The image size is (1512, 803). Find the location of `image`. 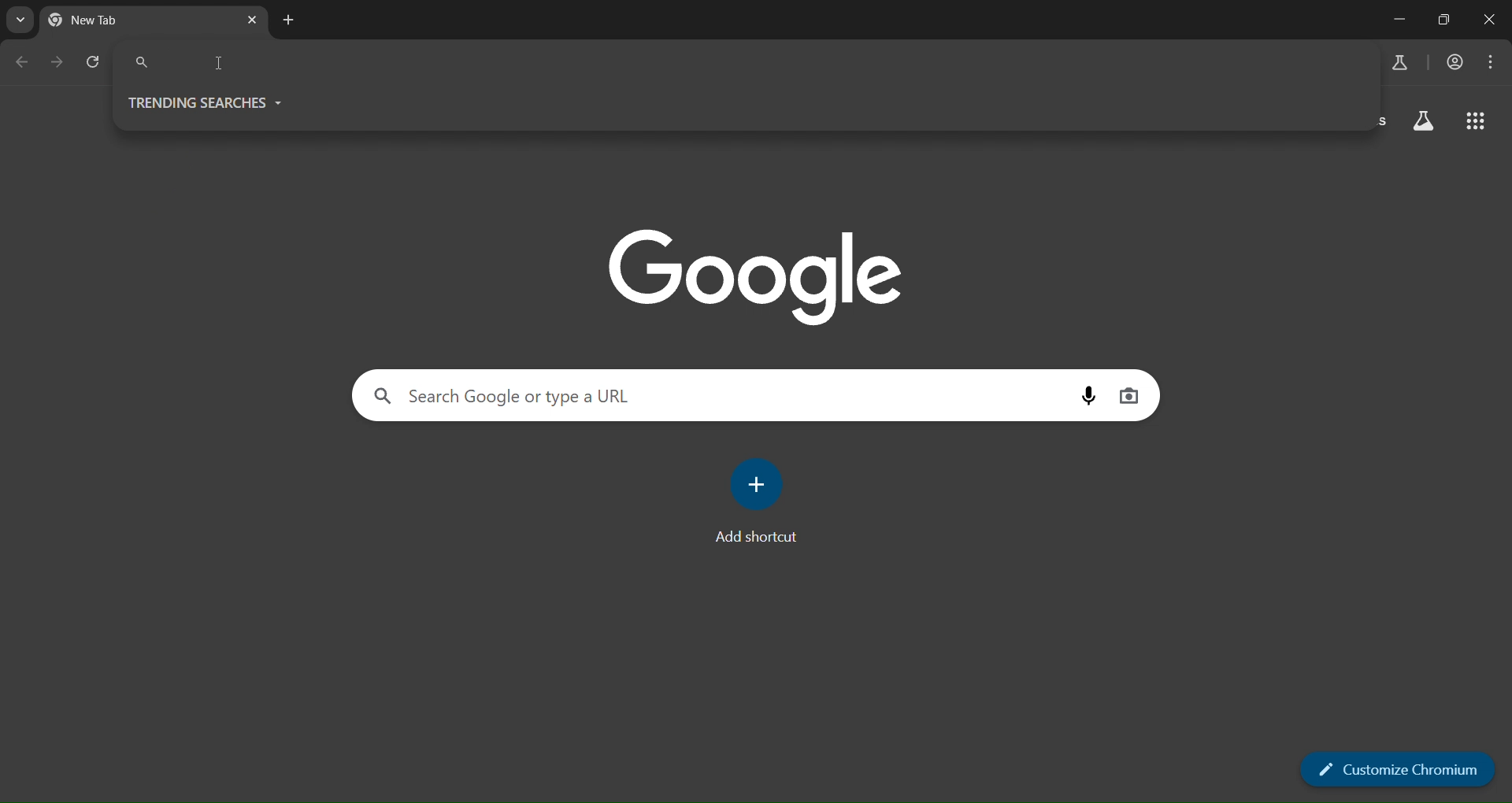

image is located at coordinates (769, 274).